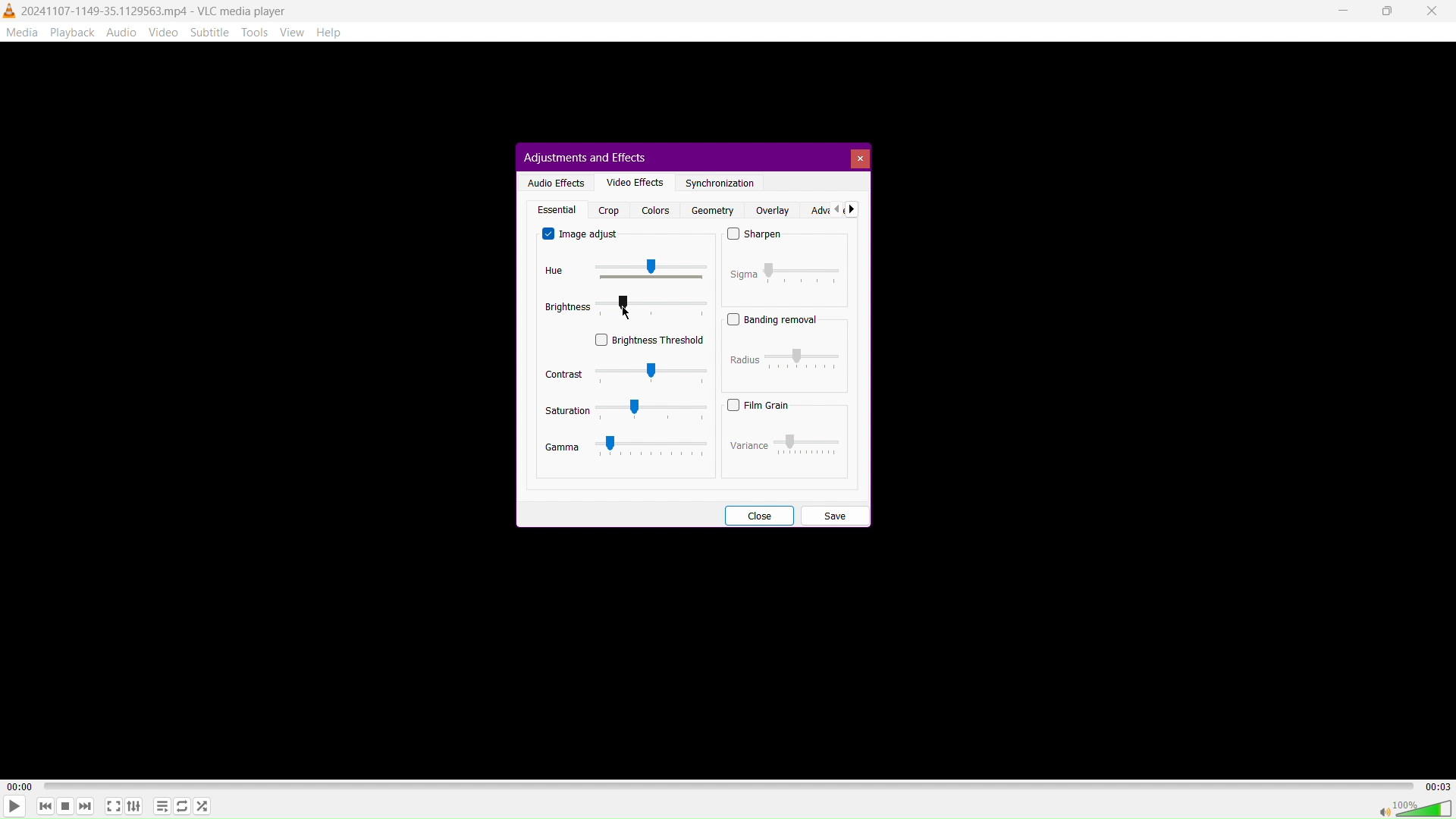 The image size is (1456, 819). I want to click on Adjustments and Effects, so click(583, 156).